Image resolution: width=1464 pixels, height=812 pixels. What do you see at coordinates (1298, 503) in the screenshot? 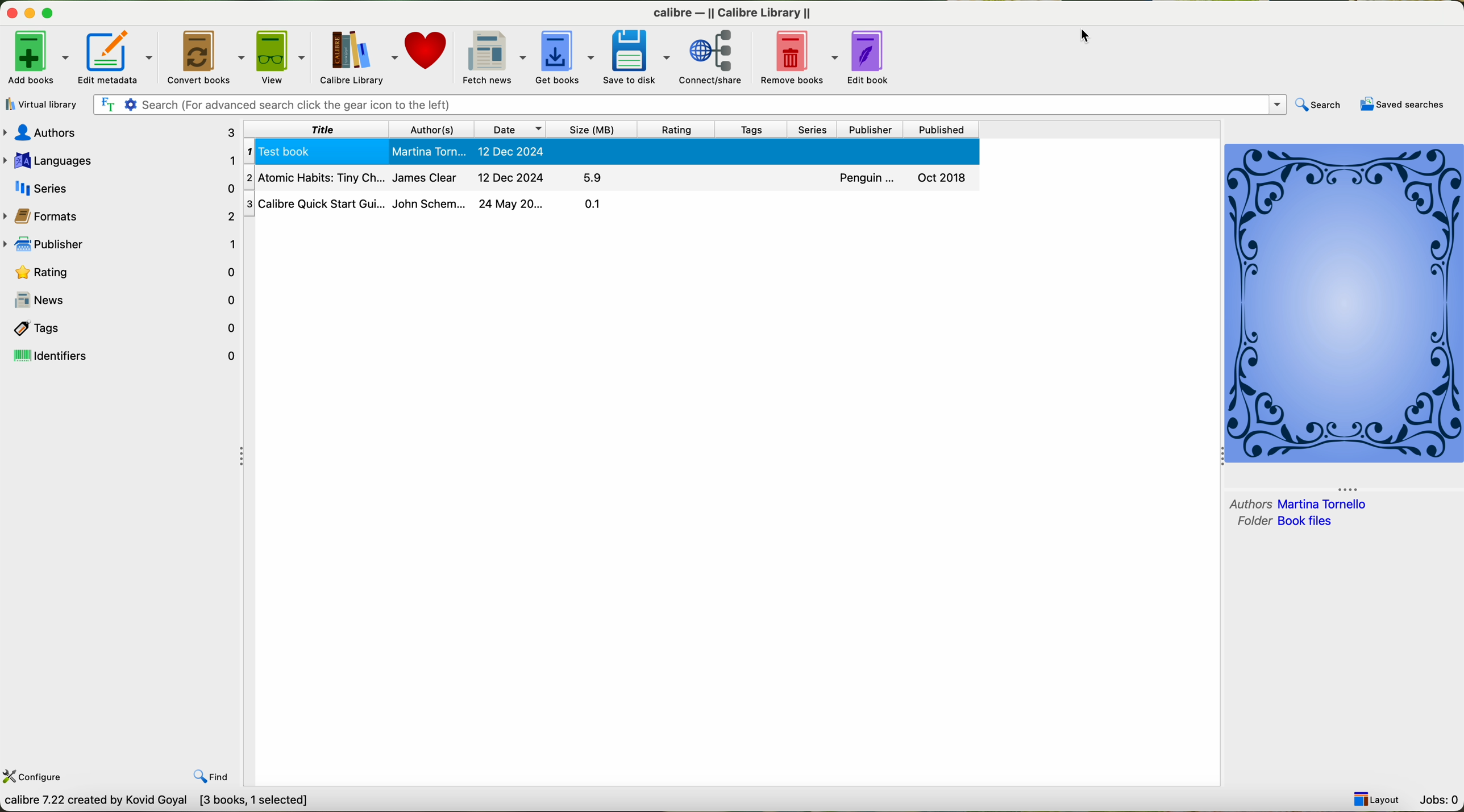
I see `author` at bounding box center [1298, 503].